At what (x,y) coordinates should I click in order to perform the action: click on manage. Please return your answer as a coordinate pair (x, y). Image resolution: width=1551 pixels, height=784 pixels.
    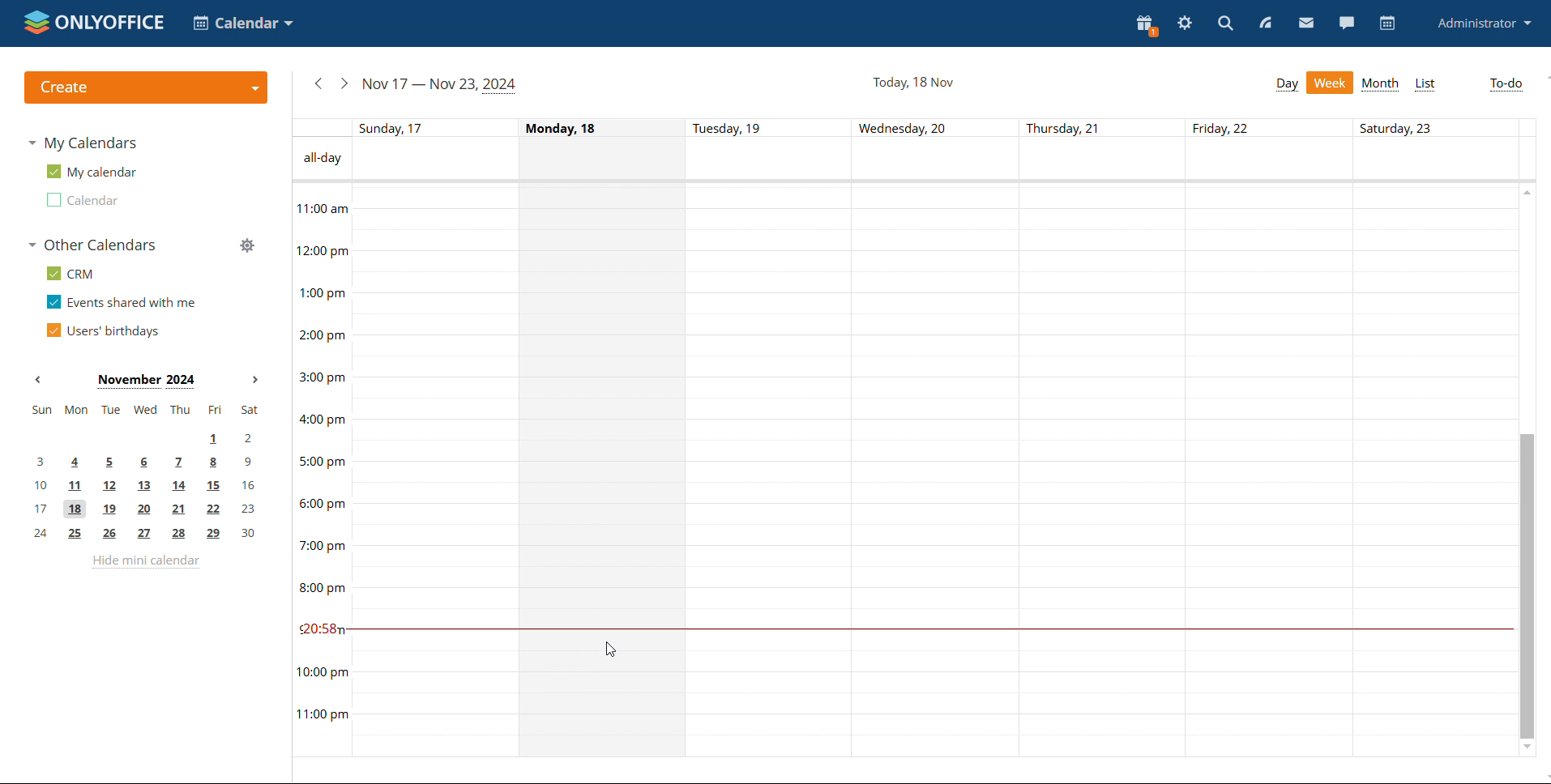
    Looking at the image, I should click on (247, 244).